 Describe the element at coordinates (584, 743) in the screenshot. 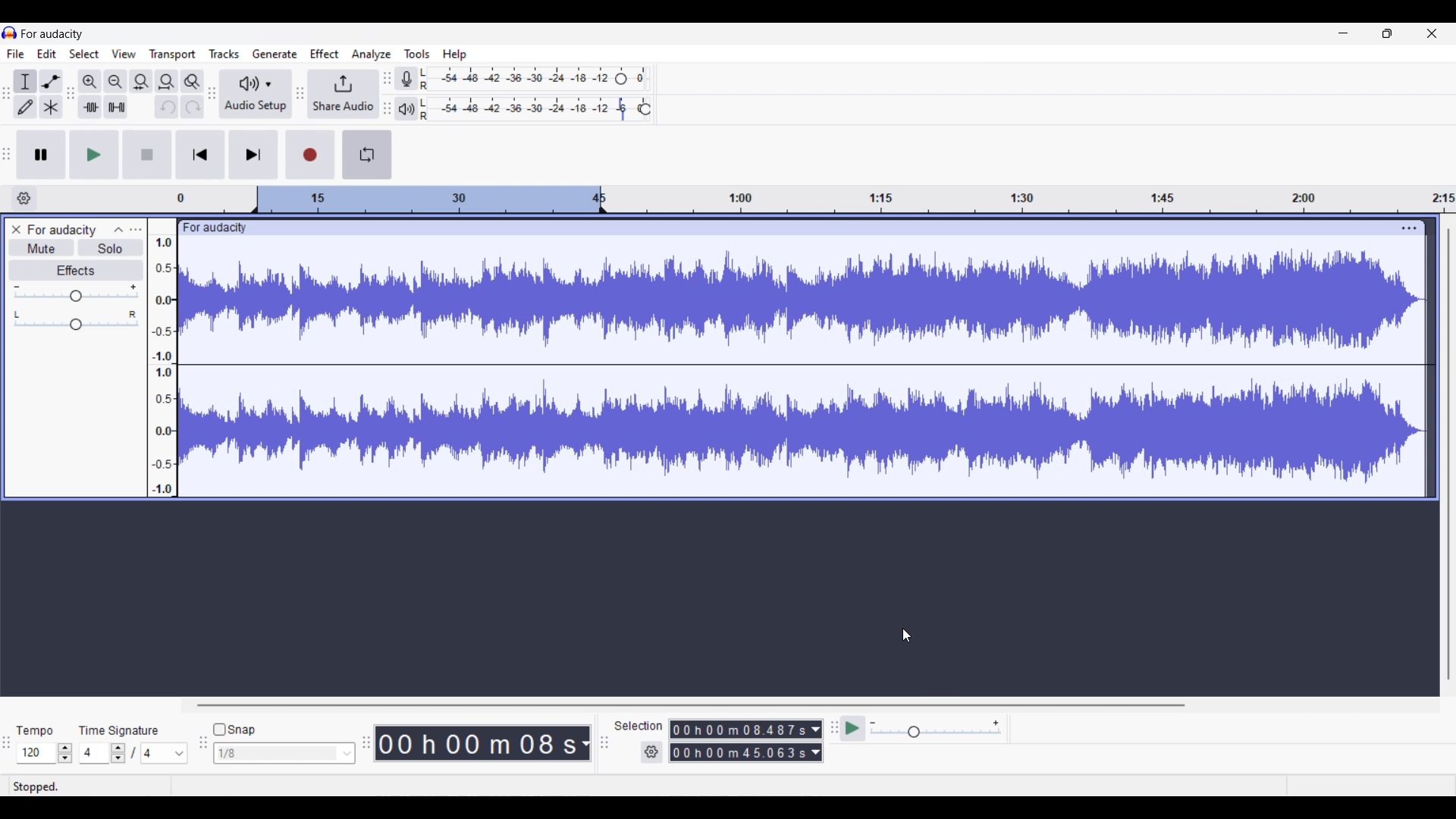

I see `Track measurement ` at that location.